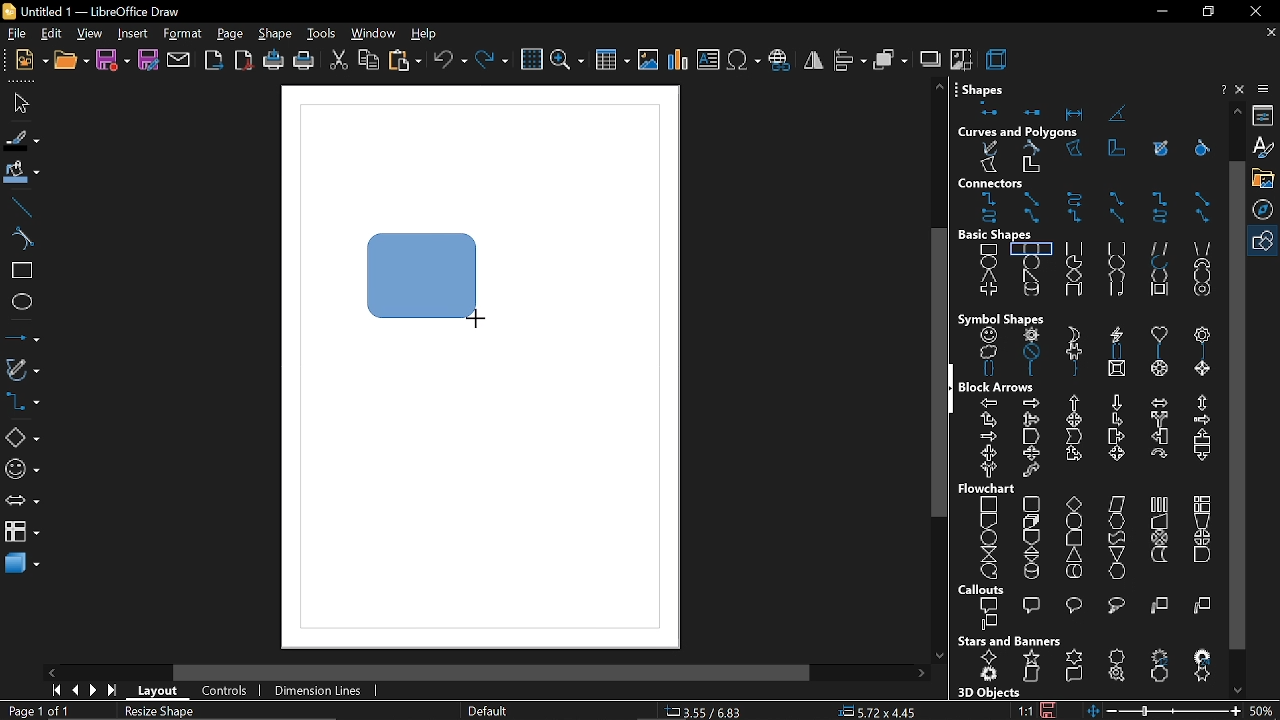 Image resolution: width=1280 pixels, height=720 pixels. What do you see at coordinates (93, 691) in the screenshot?
I see `next page` at bounding box center [93, 691].